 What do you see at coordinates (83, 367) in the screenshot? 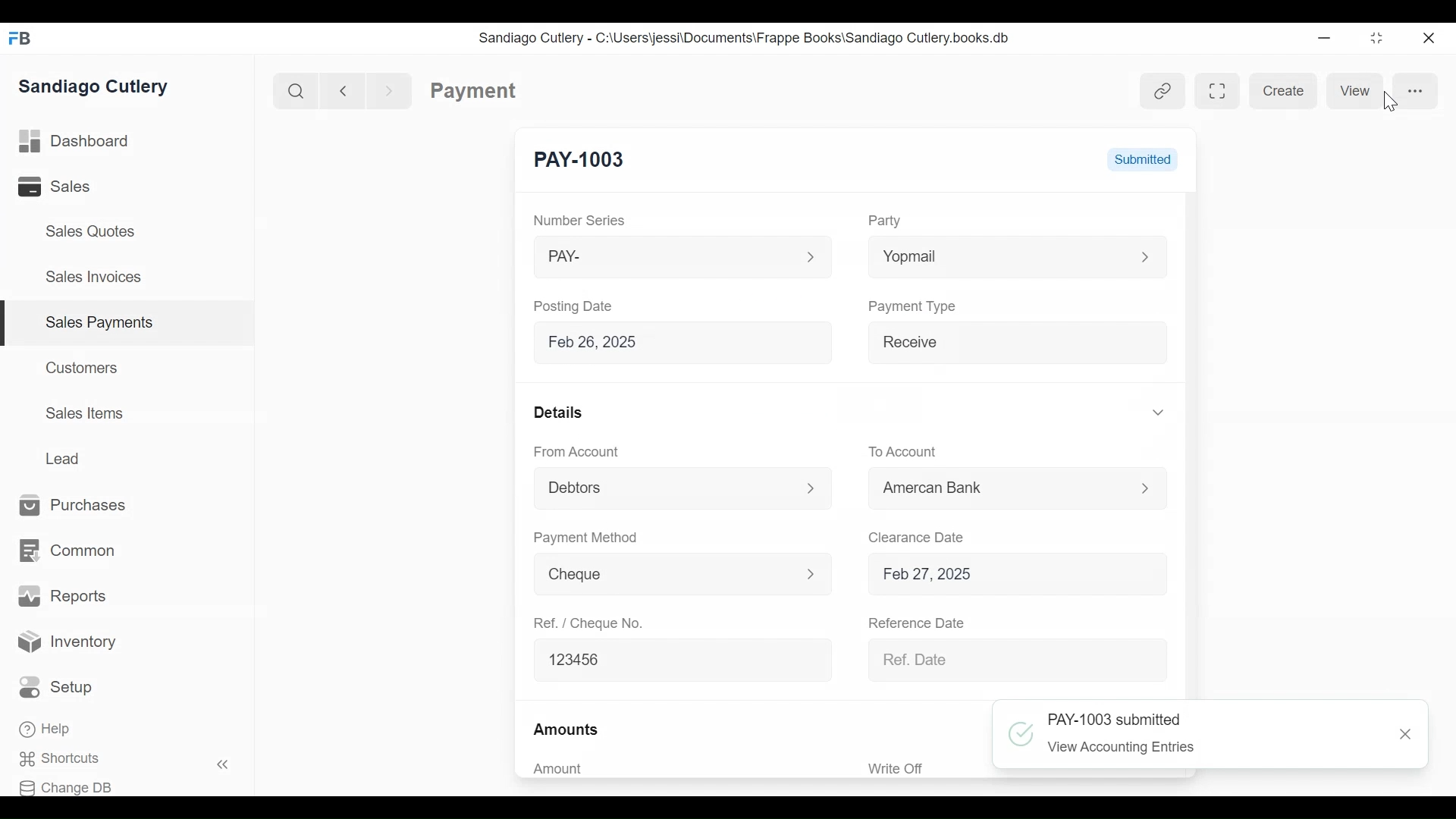
I see `Customers` at bounding box center [83, 367].